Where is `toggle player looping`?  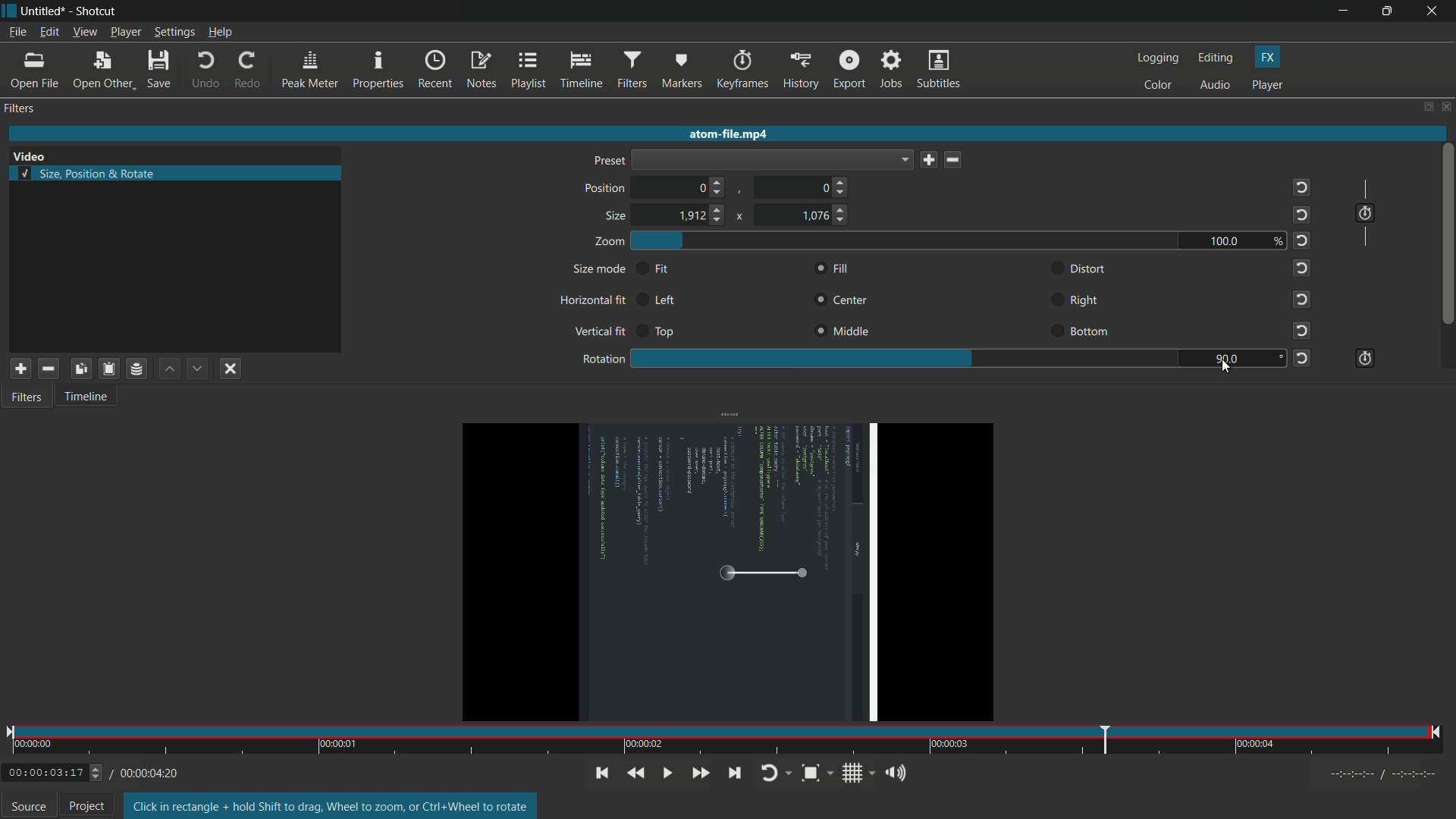
toggle player looping is located at coordinates (774, 773).